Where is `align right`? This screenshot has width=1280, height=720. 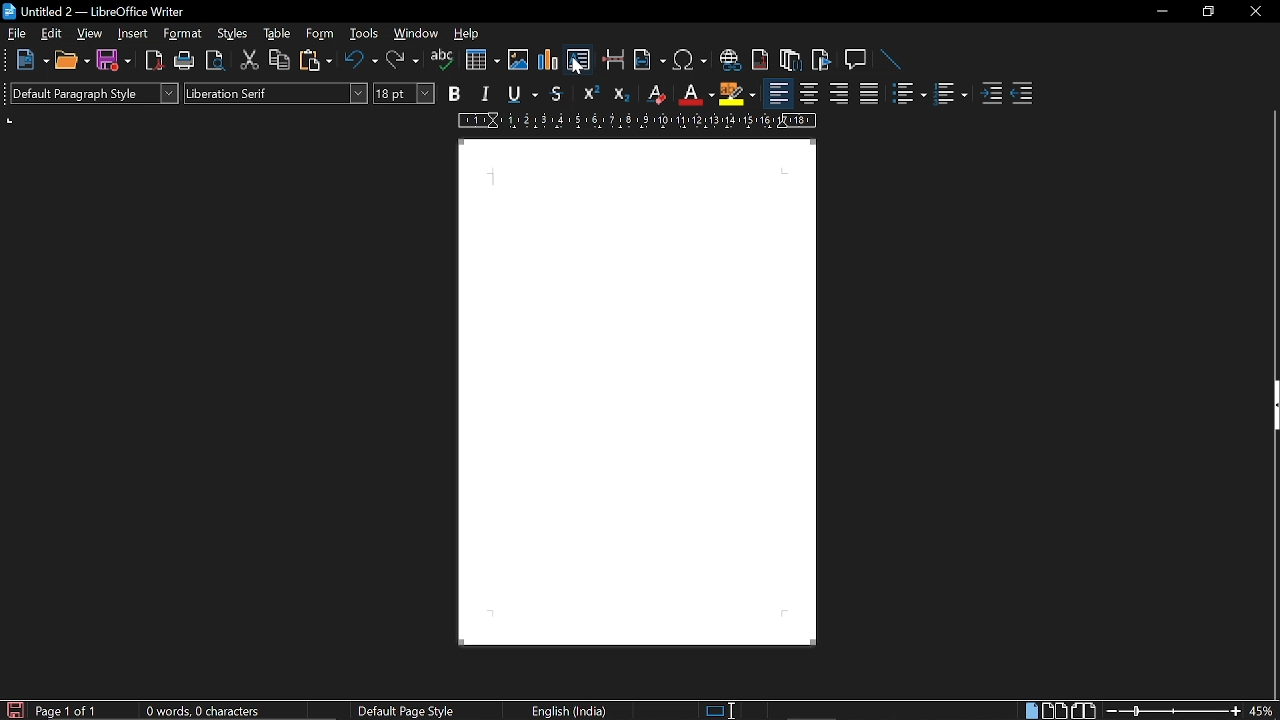 align right is located at coordinates (837, 95).